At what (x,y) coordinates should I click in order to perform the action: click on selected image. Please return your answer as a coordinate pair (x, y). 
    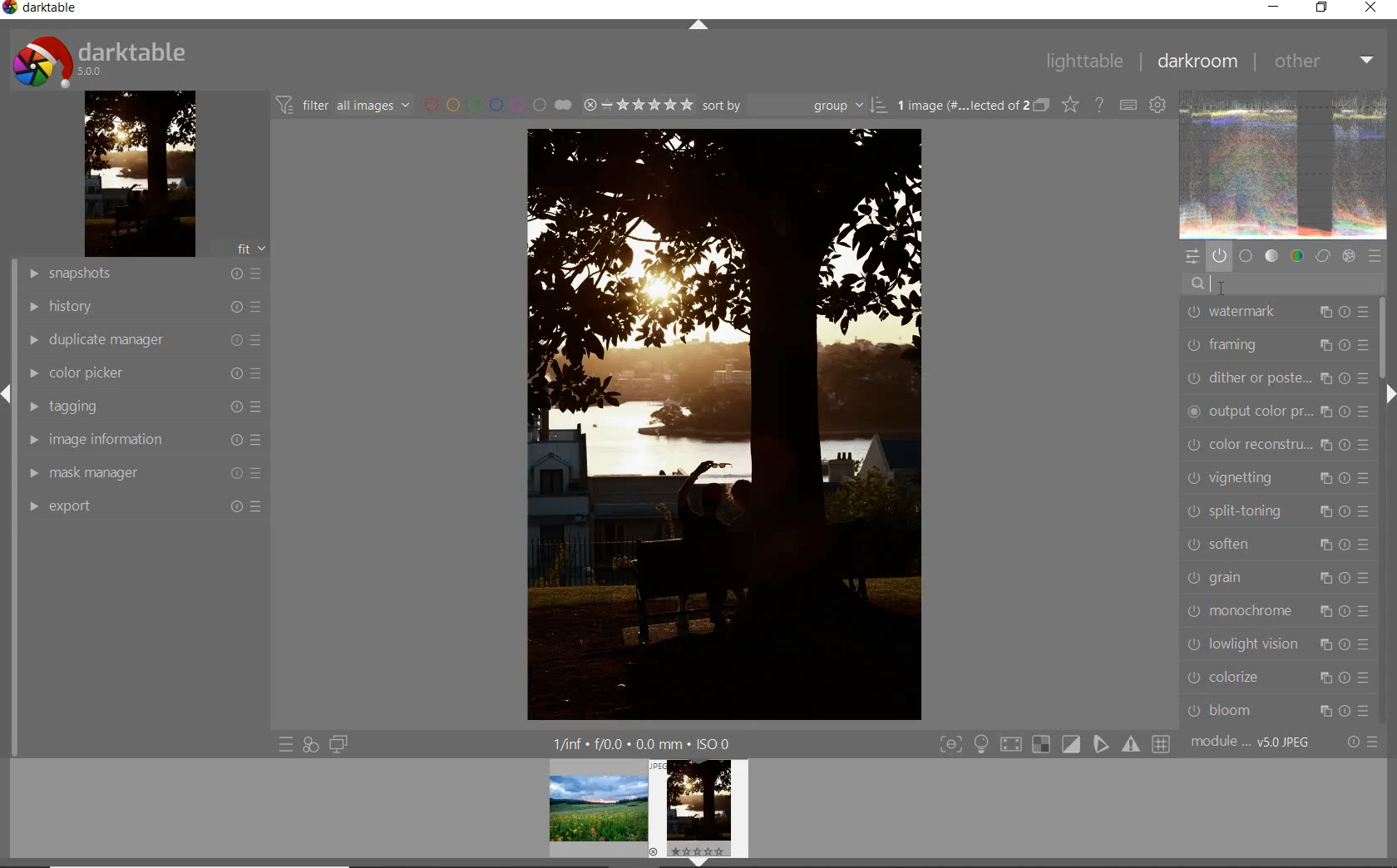
    Looking at the image, I should click on (706, 426).